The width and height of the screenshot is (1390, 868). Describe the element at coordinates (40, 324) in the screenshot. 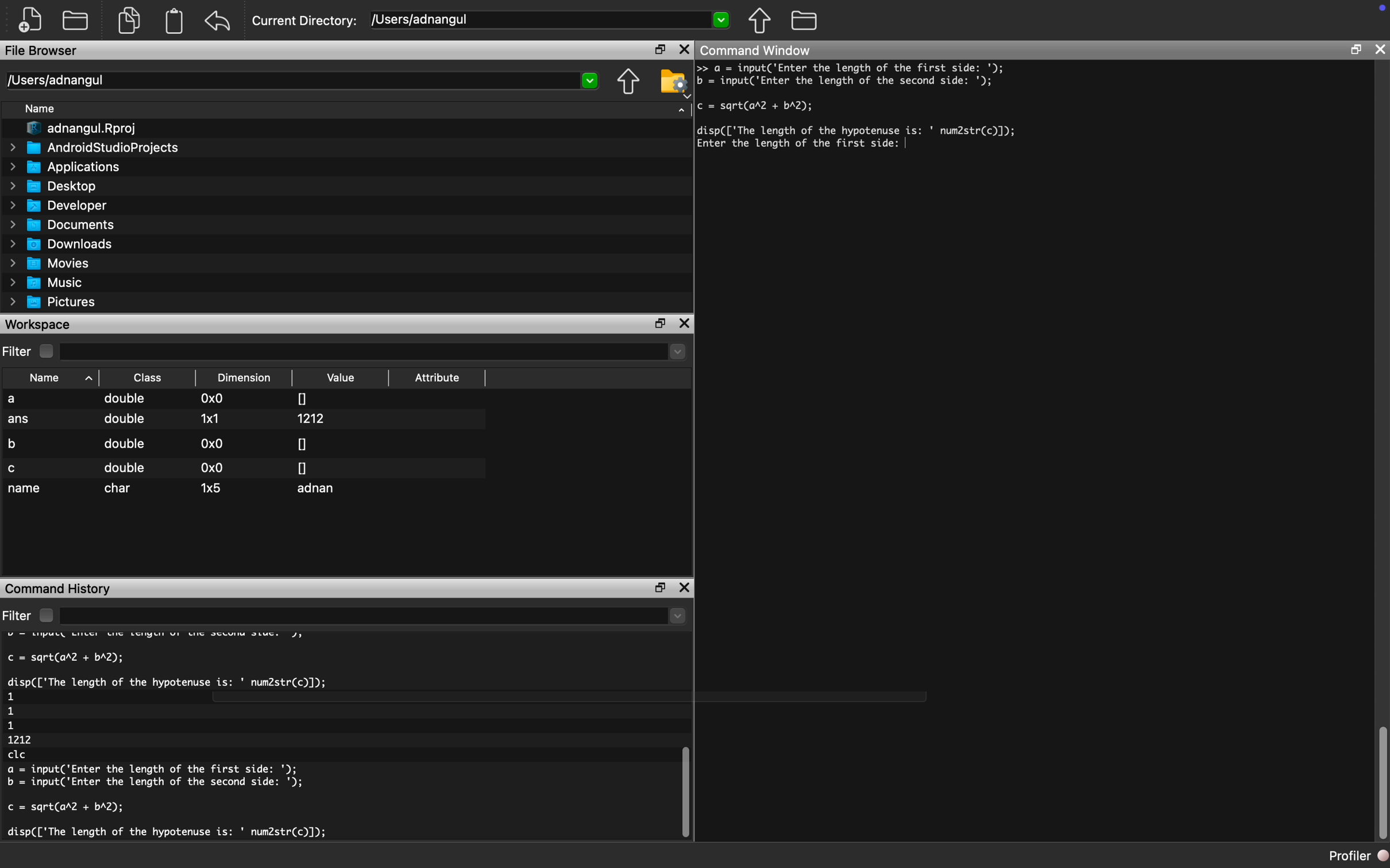

I see `Workspace` at that location.